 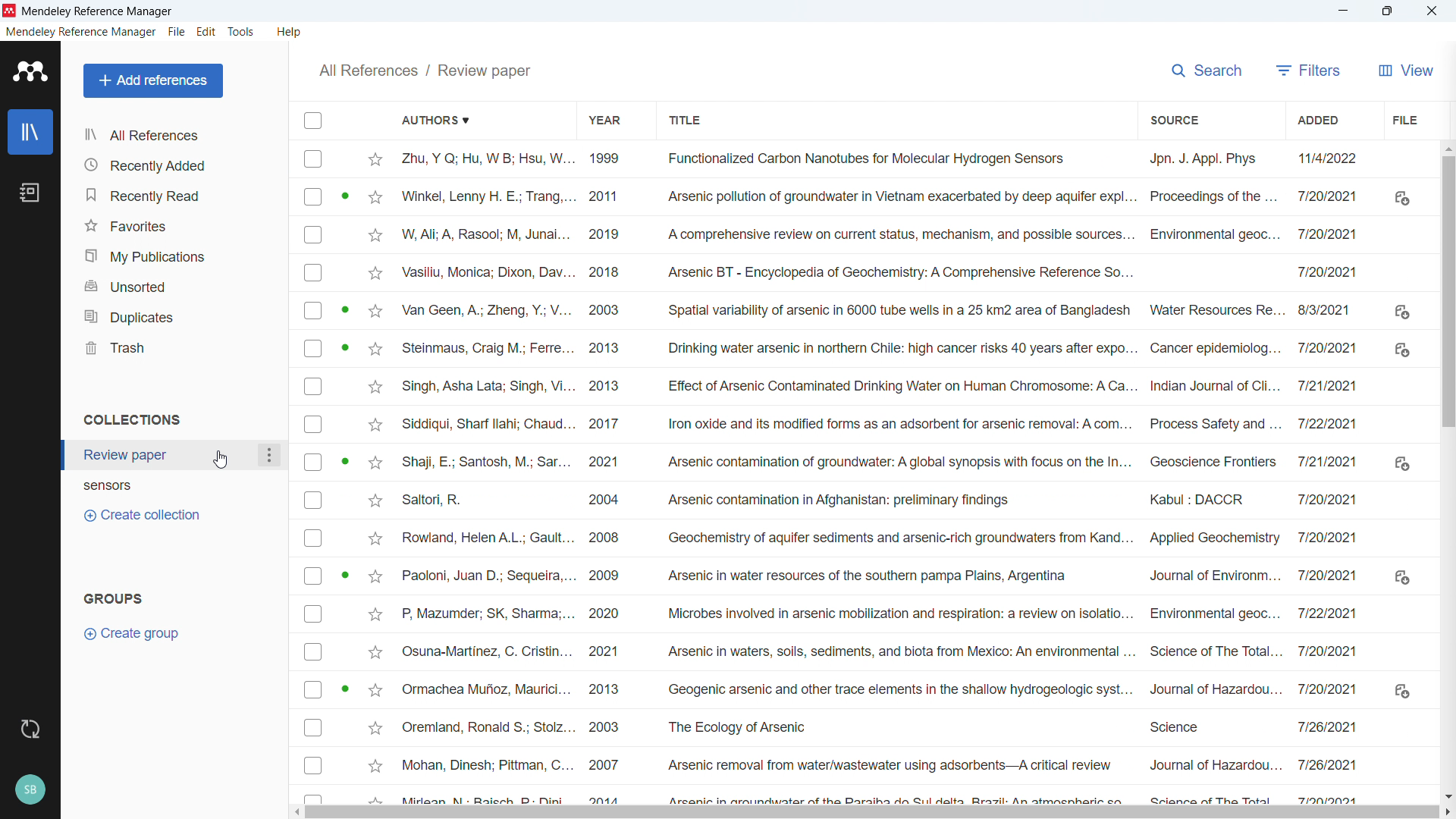 I want to click on Vertical scroll bar , so click(x=1445, y=293).